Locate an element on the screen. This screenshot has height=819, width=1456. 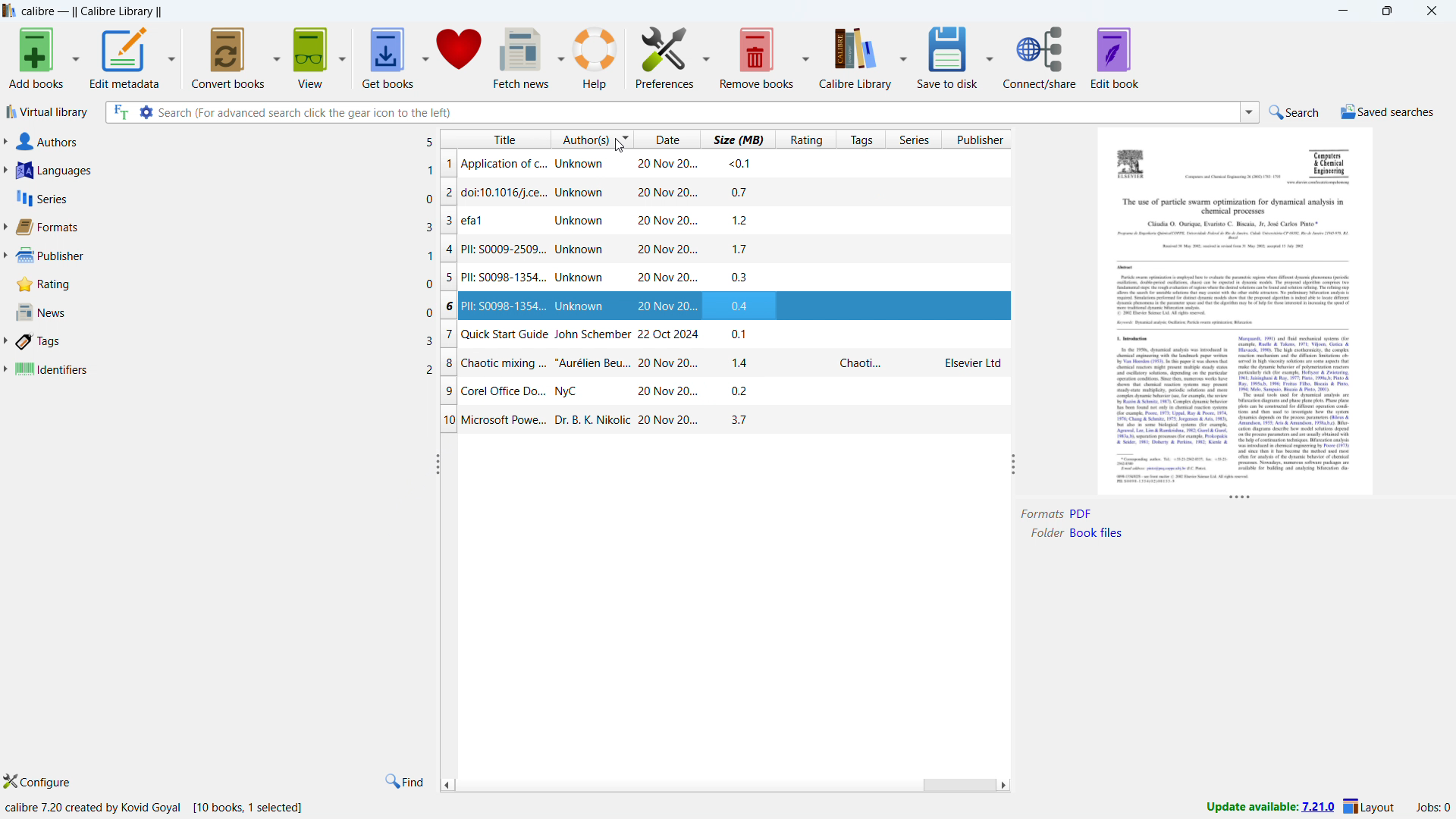
scroll right is located at coordinates (1004, 784).